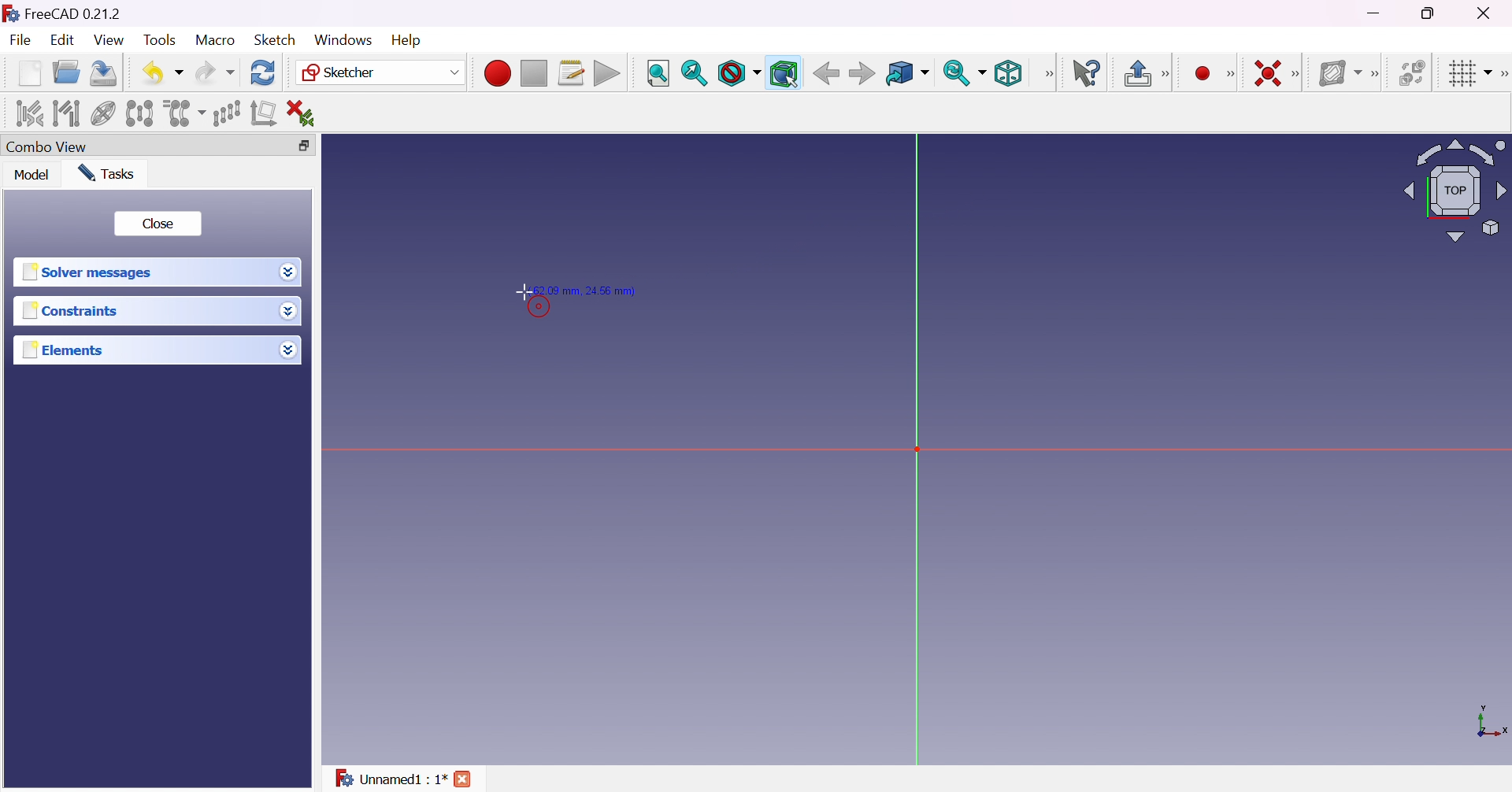  Describe the element at coordinates (523, 292) in the screenshot. I see `cursor` at that location.